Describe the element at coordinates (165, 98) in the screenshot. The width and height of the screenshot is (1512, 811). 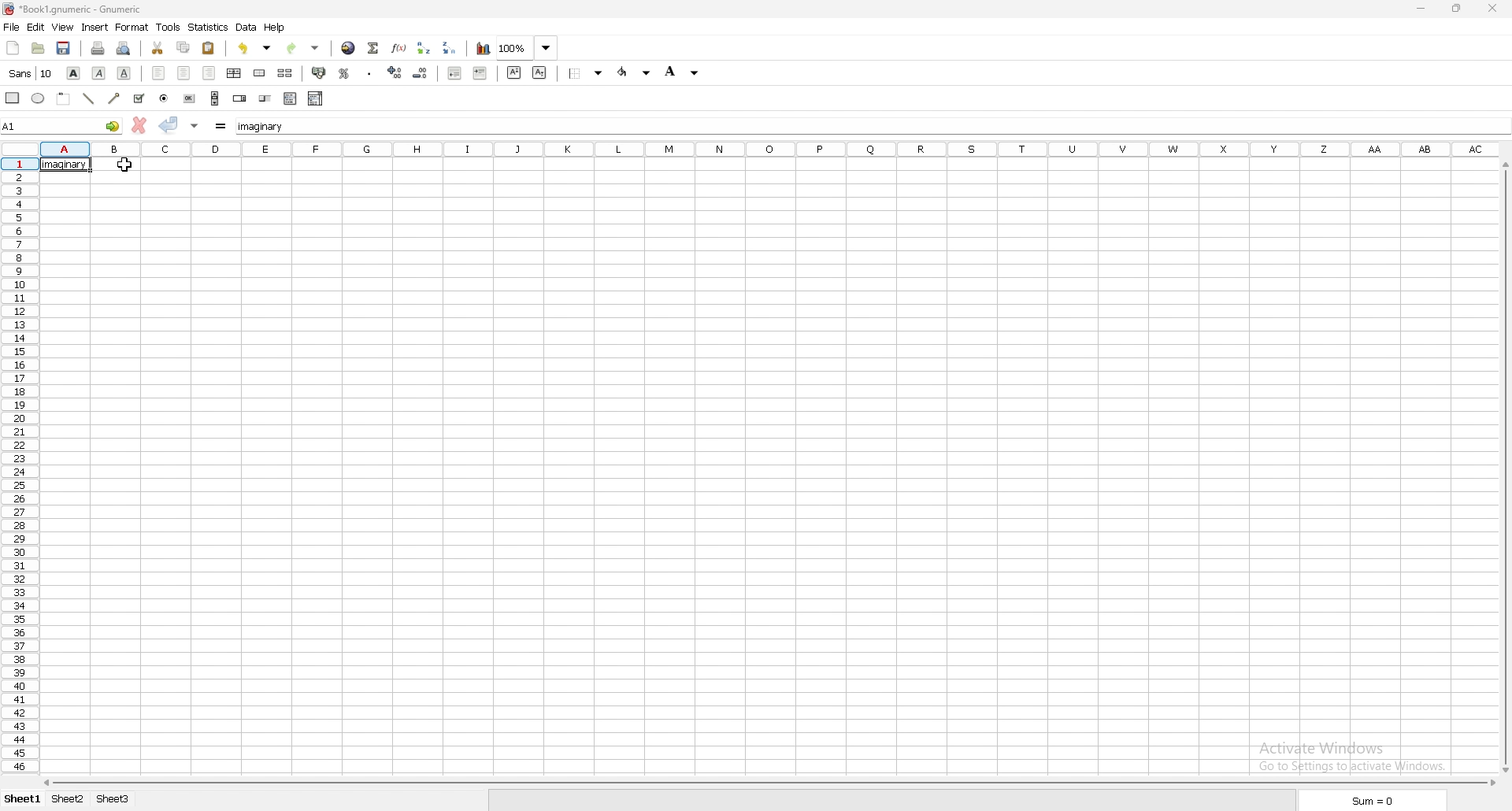
I see `radio button` at that location.